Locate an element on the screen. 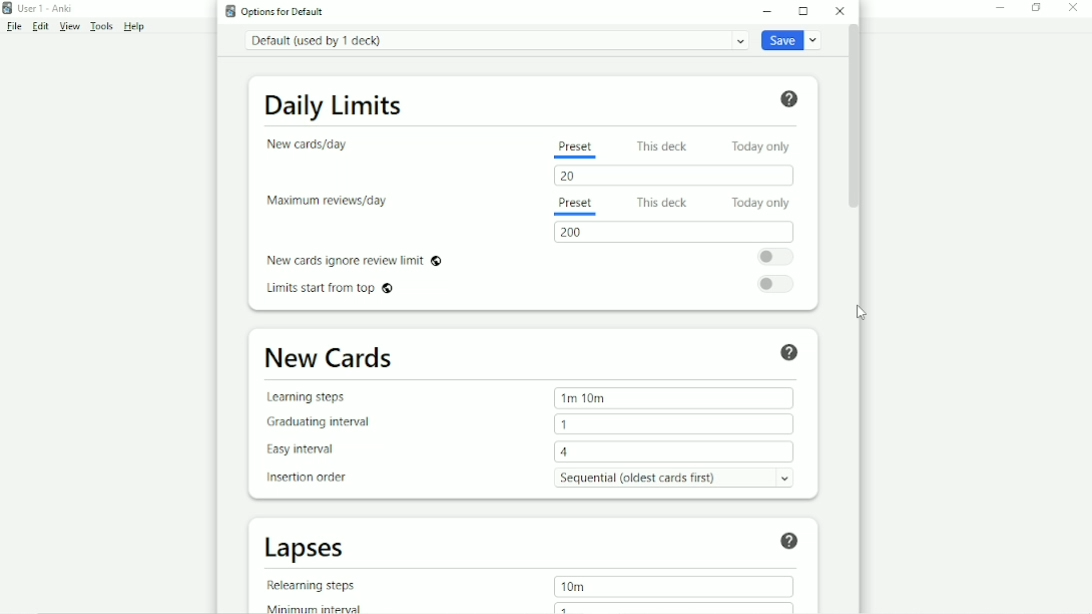 Image resolution: width=1092 pixels, height=614 pixels. Close is located at coordinates (1078, 8).